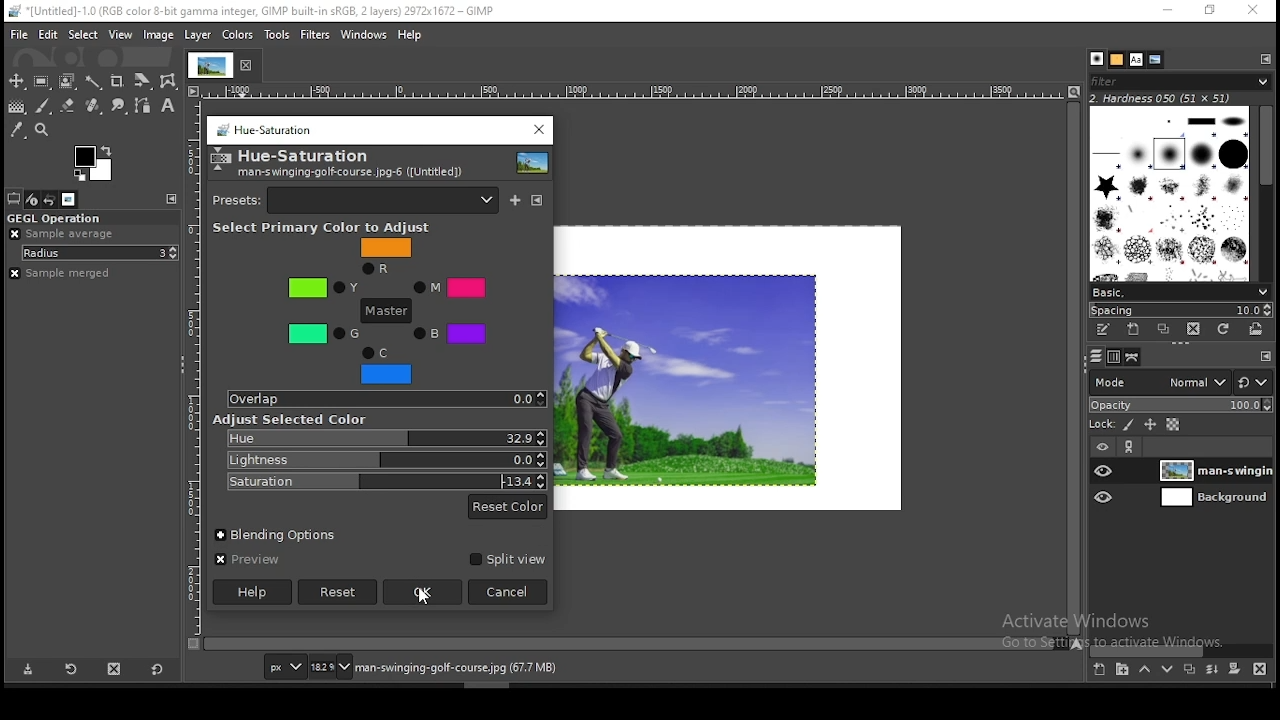 This screenshot has width=1280, height=720. I want to click on images, so click(68, 200).